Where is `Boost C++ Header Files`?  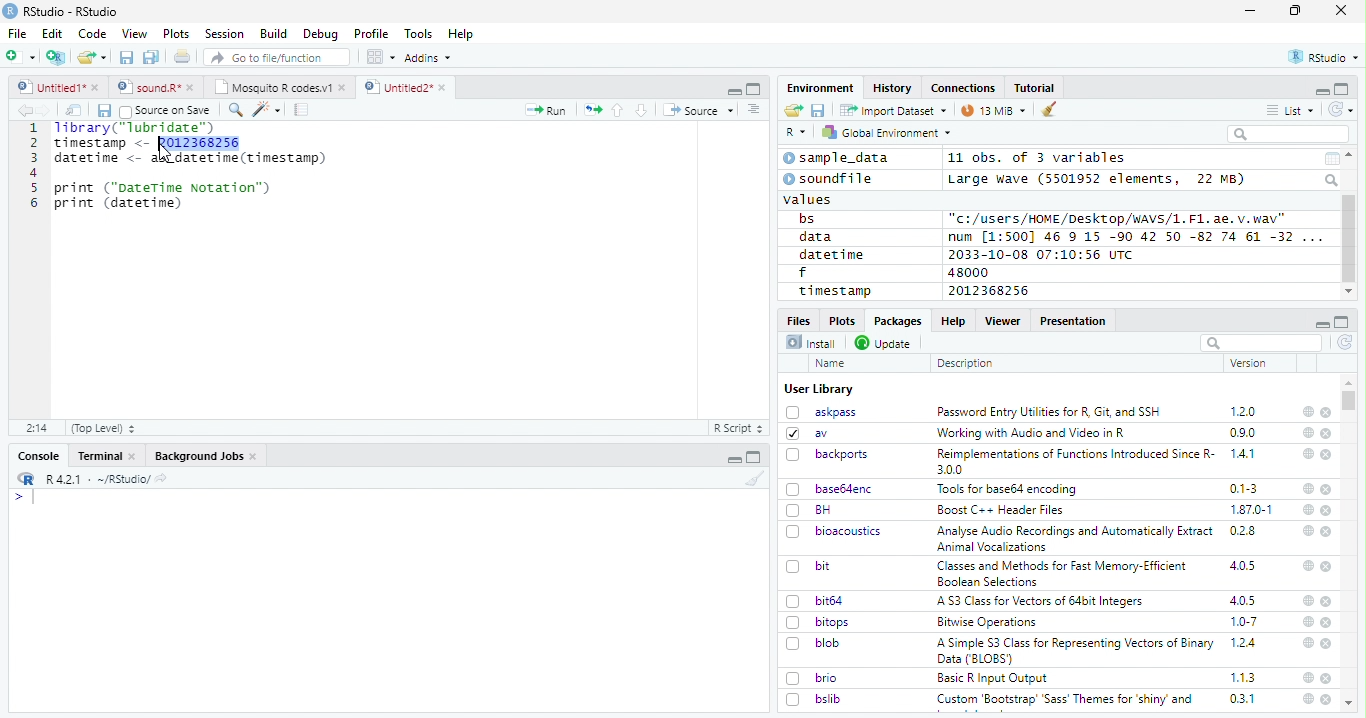 Boost C++ Header Files is located at coordinates (998, 511).